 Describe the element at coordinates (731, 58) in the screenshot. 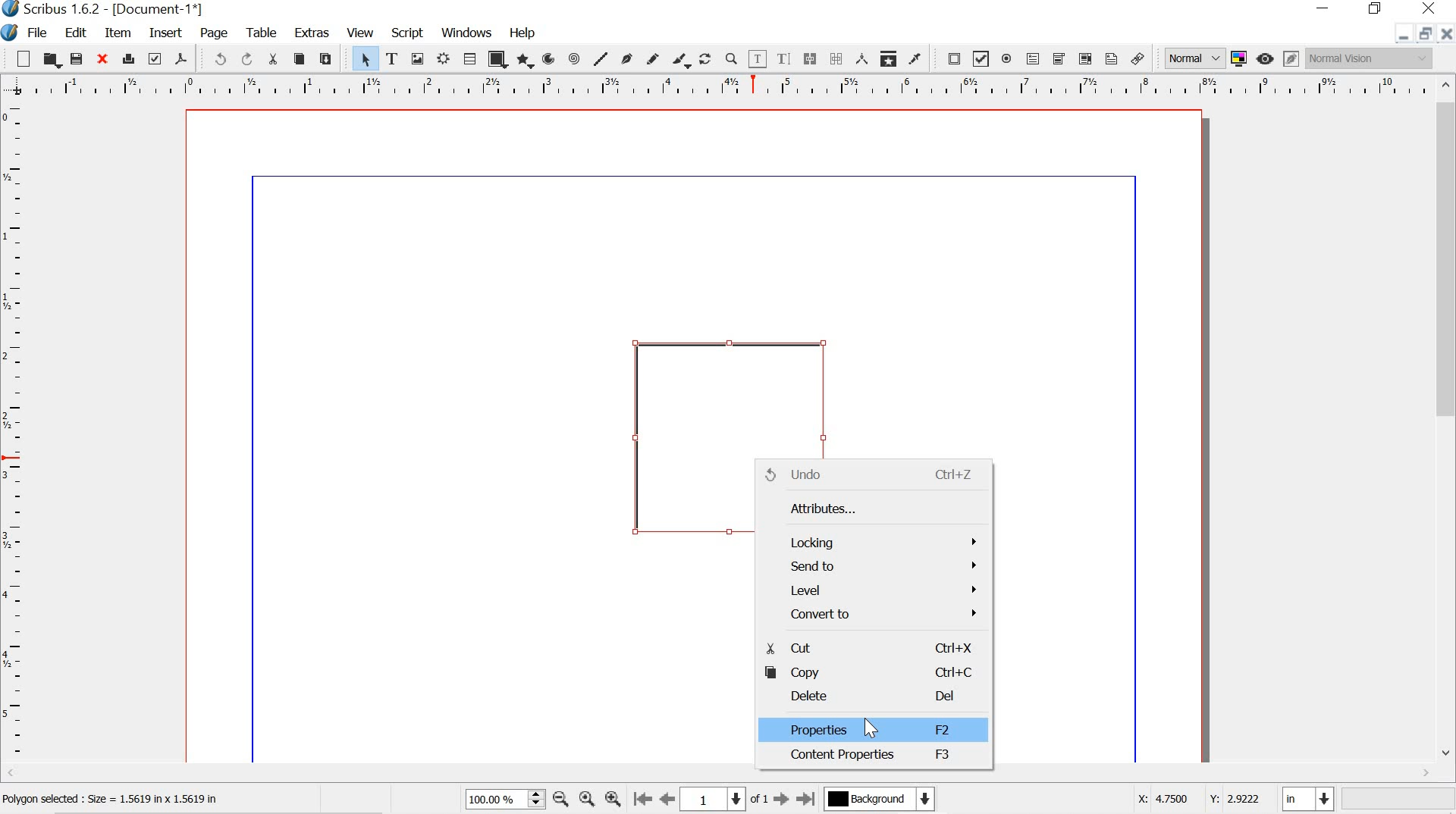

I see `zoom in or zoom out` at that location.